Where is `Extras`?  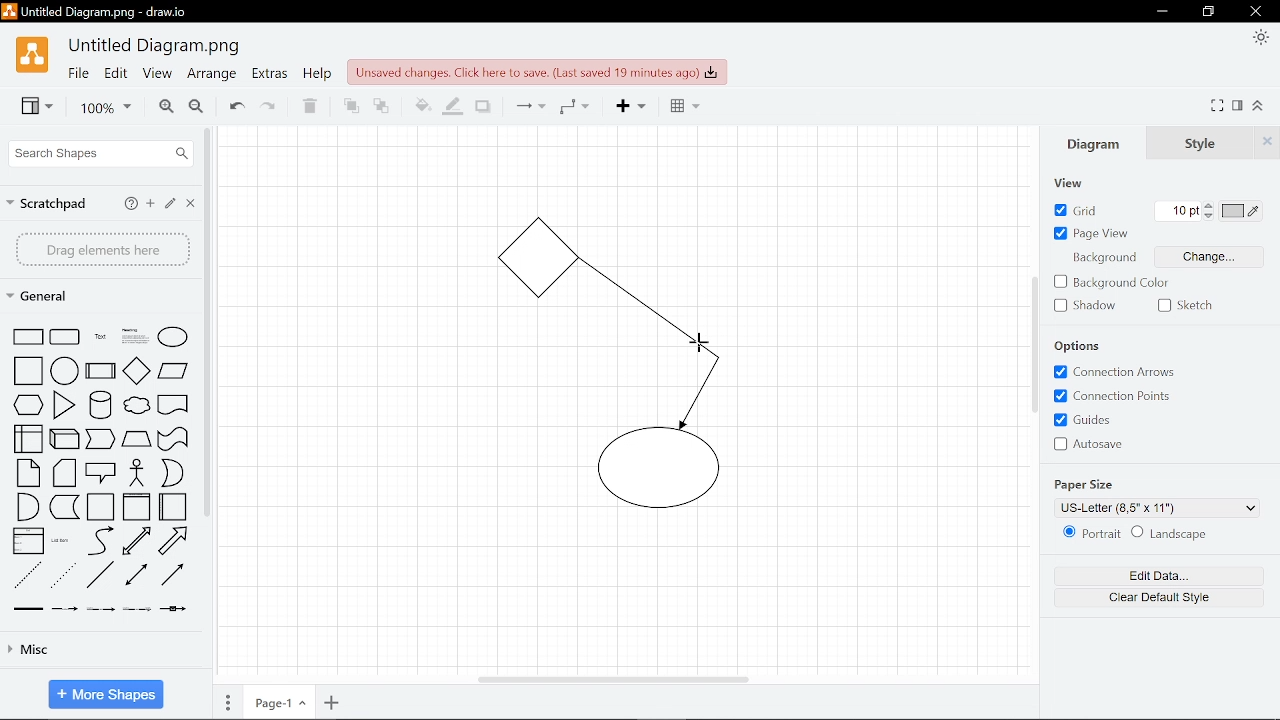 Extras is located at coordinates (270, 76).